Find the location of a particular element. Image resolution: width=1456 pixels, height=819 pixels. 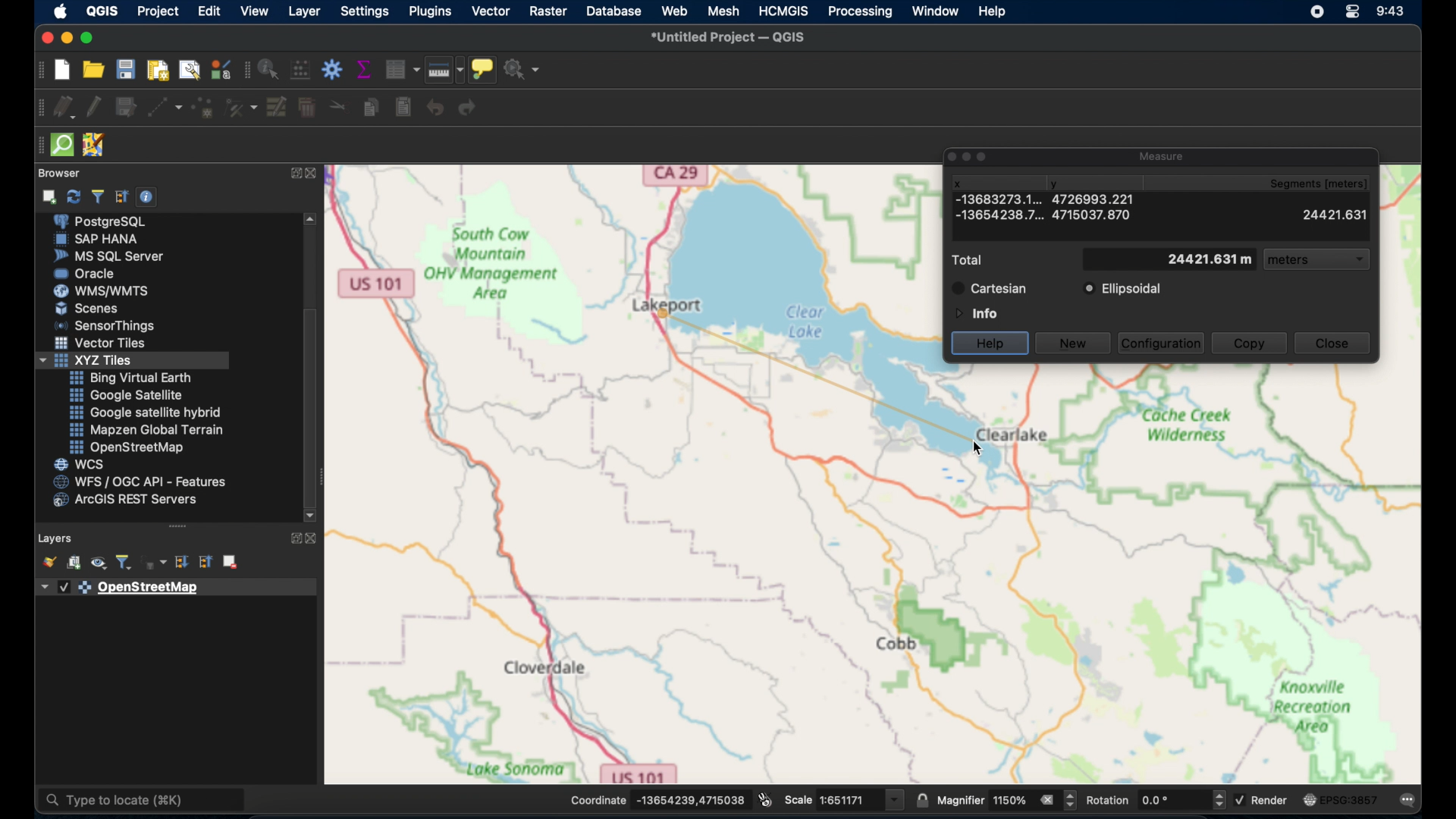

minimize  is located at coordinates (65, 38).